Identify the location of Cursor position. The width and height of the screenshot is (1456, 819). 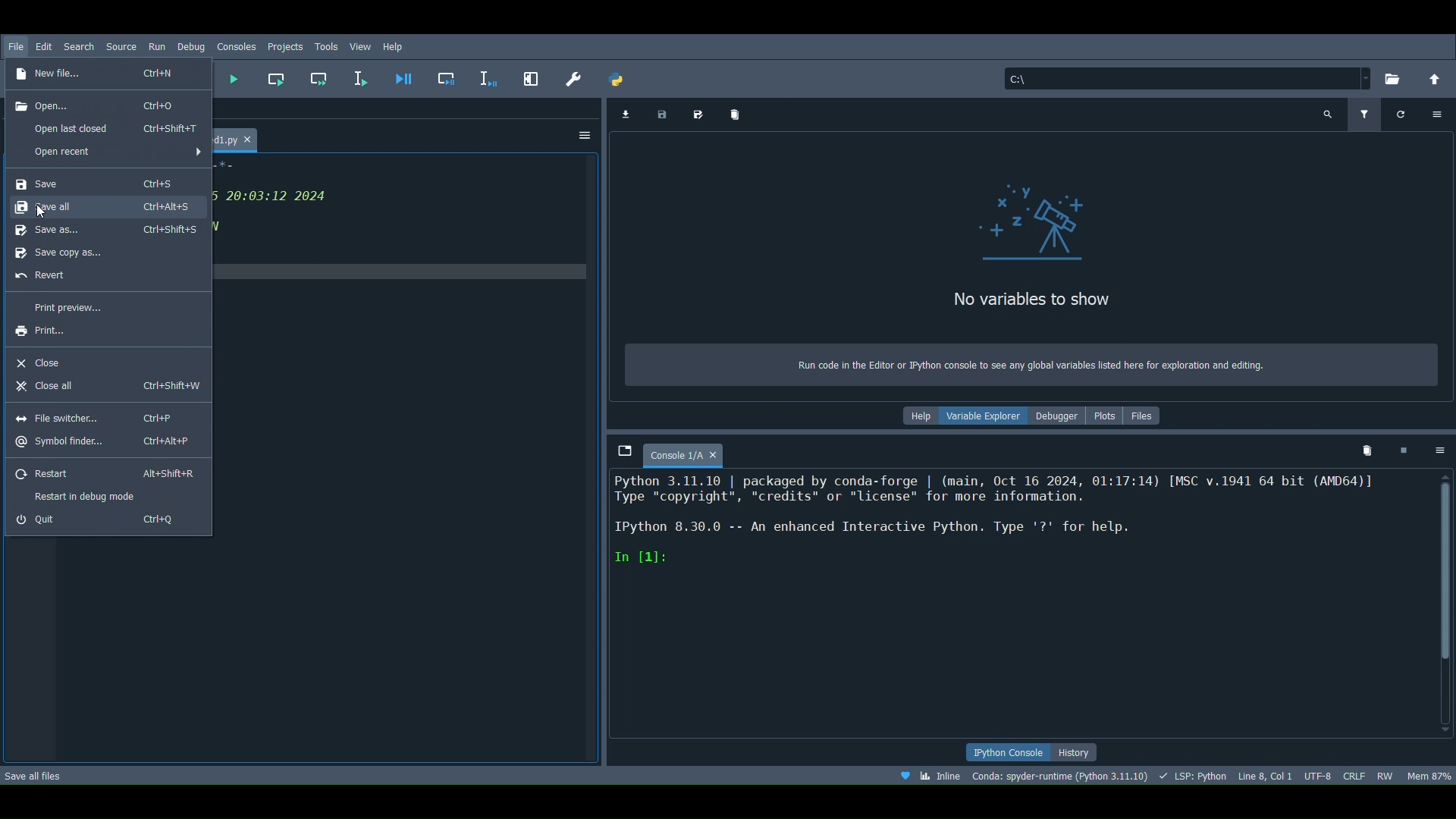
(1266, 774).